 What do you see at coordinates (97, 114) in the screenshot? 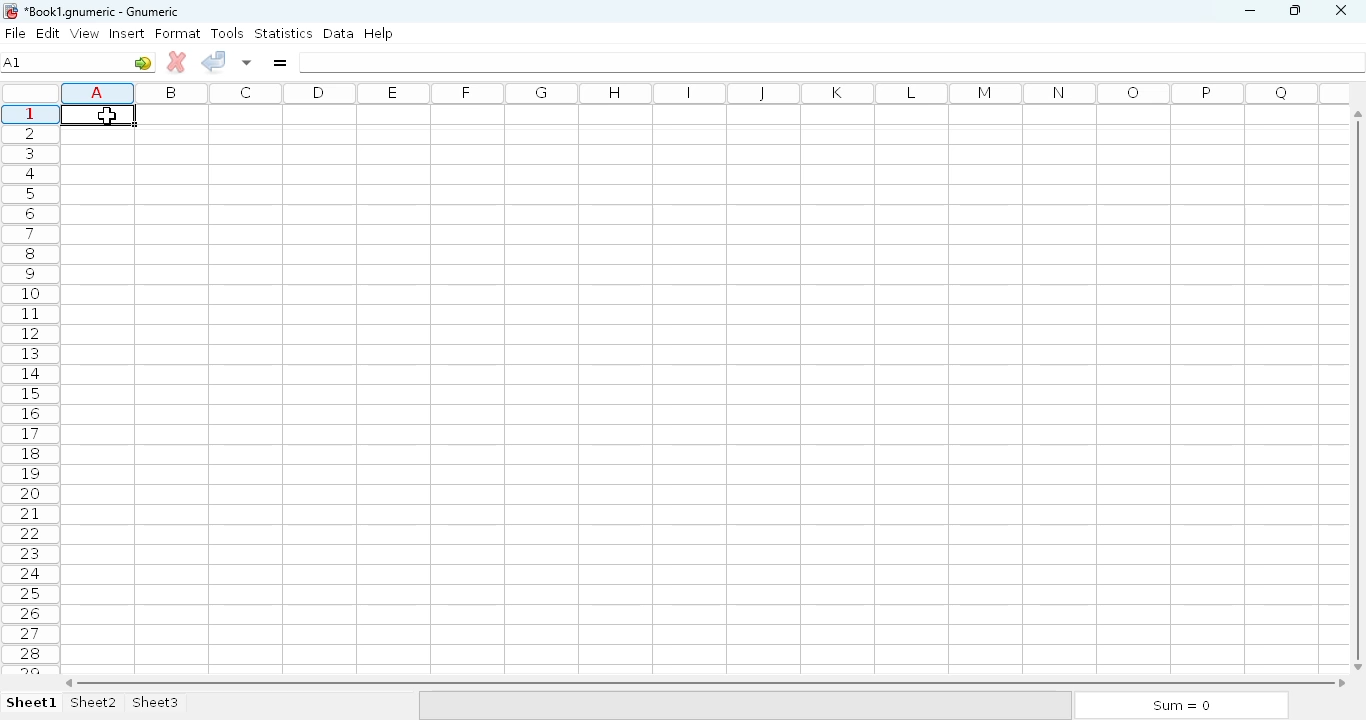
I see `typing` at bounding box center [97, 114].